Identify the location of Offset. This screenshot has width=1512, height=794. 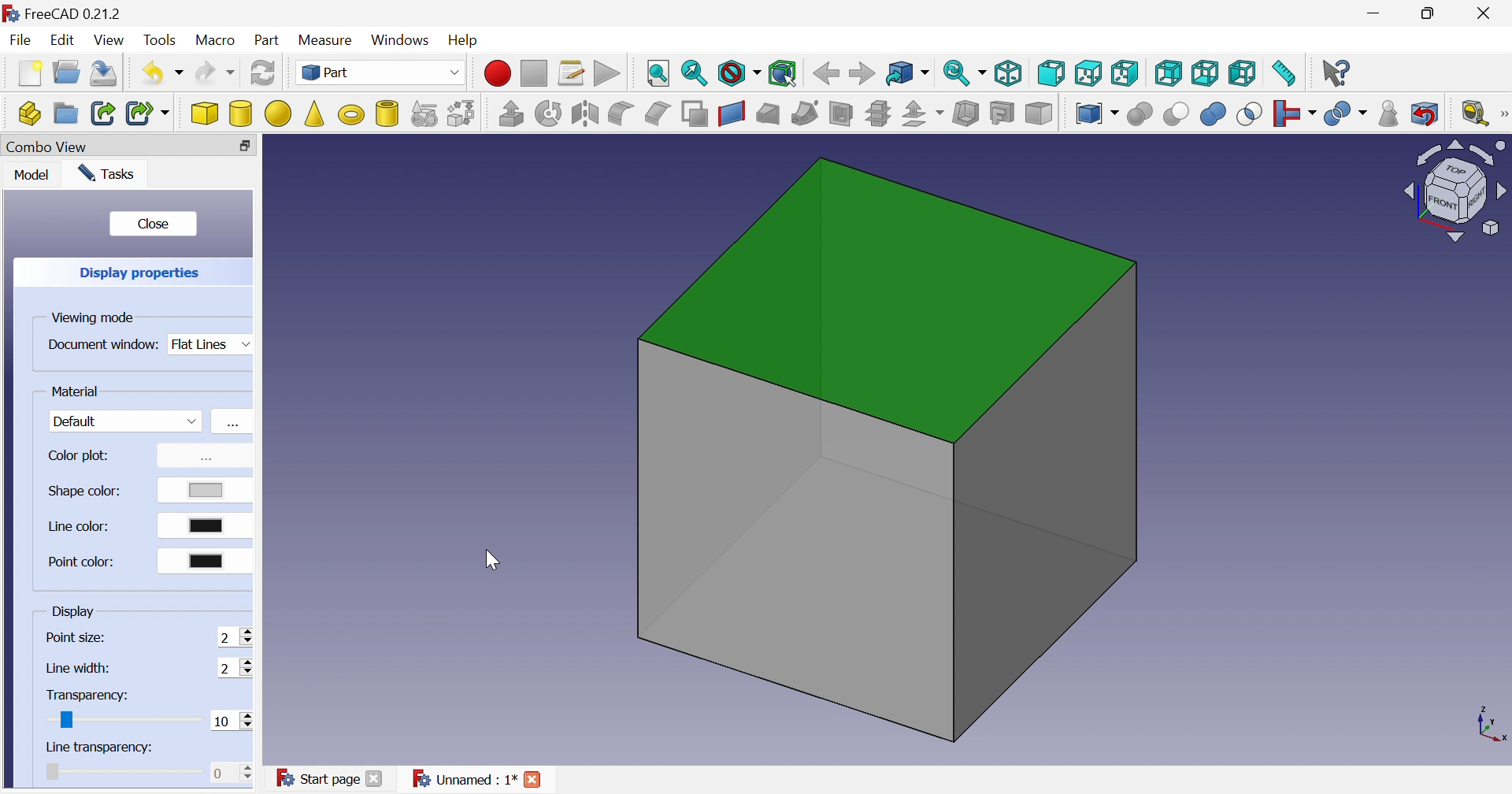
(925, 114).